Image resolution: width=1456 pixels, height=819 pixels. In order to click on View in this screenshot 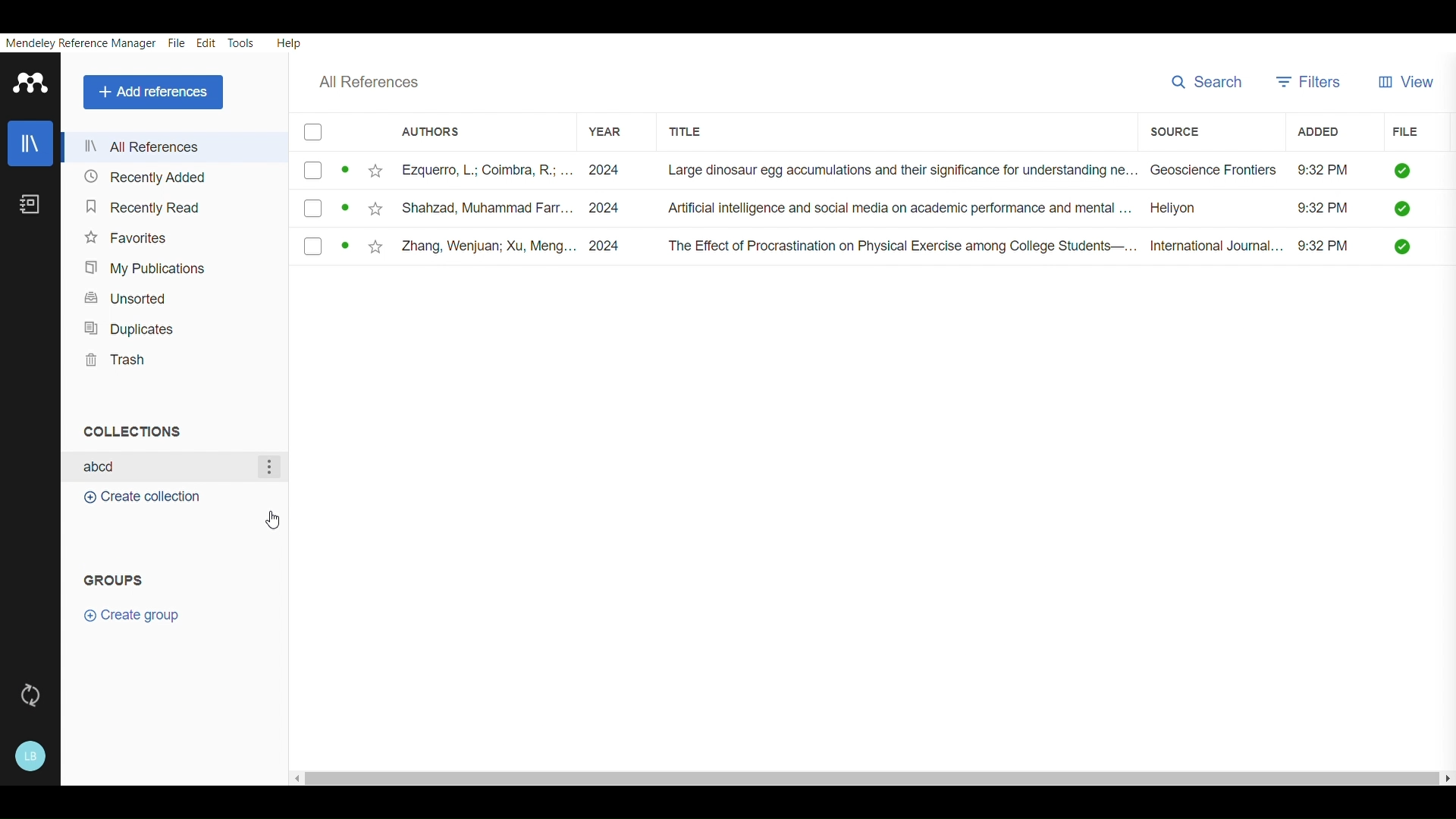, I will do `click(1410, 76)`.